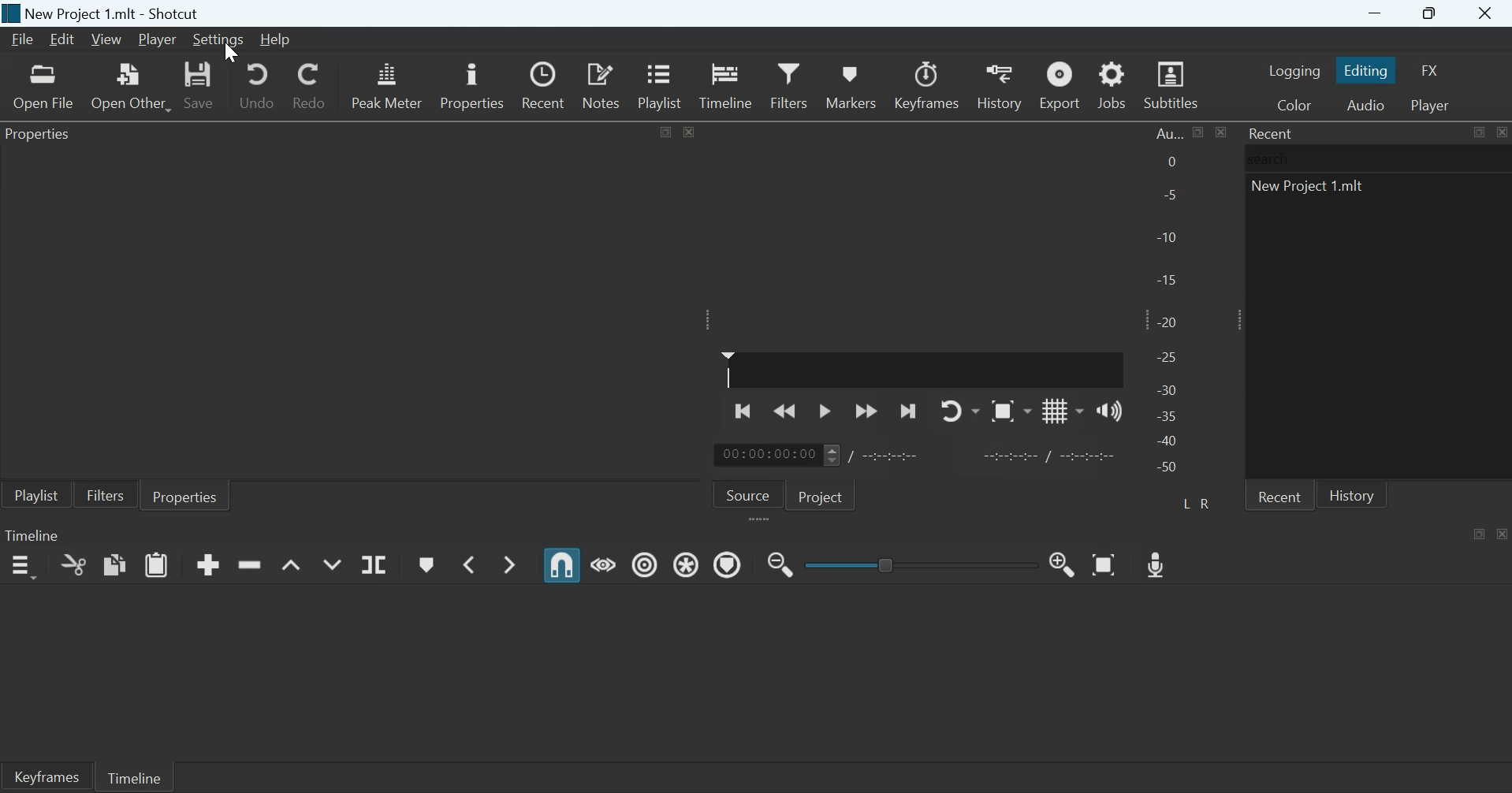 The width and height of the screenshot is (1512, 793). Describe the element at coordinates (825, 411) in the screenshot. I see `Toggle play or pause` at that location.